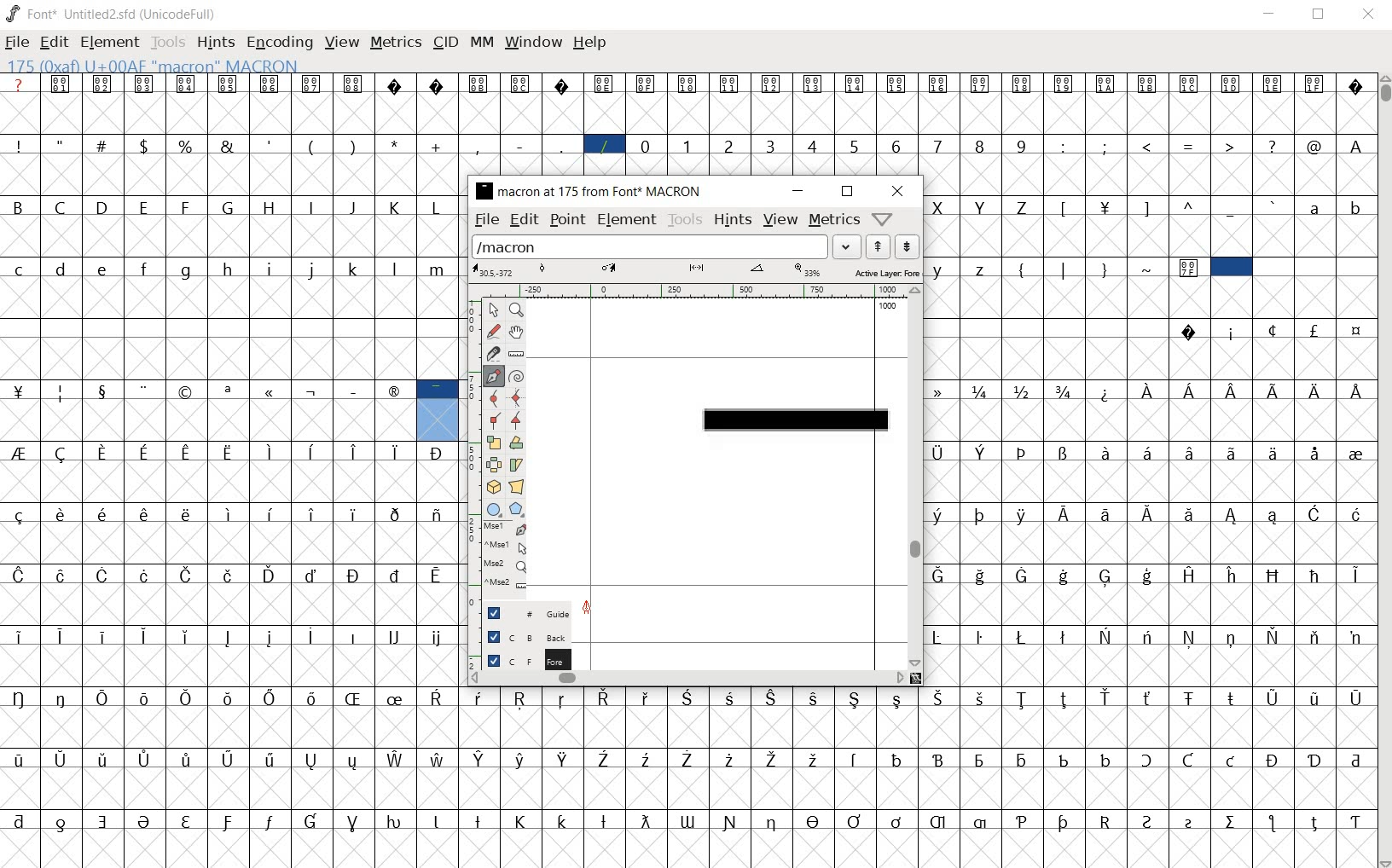 This screenshot has height=868, width=1392. What do you see at coordinates (938, 145) in the screenshot?
I see `7` at bounding box center [938, 145].